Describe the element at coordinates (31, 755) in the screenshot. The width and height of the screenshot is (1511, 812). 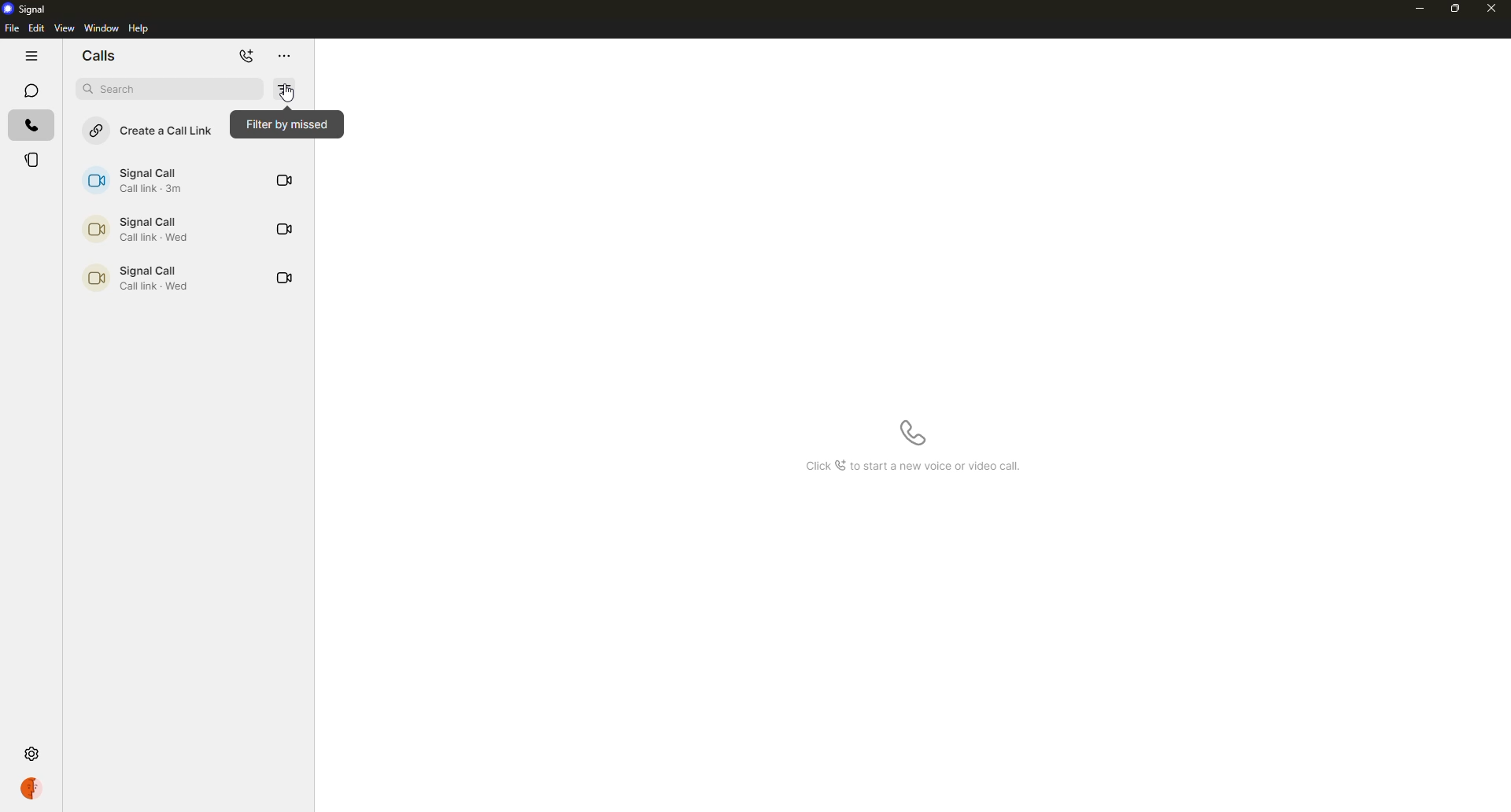
I see `settings` at that location.